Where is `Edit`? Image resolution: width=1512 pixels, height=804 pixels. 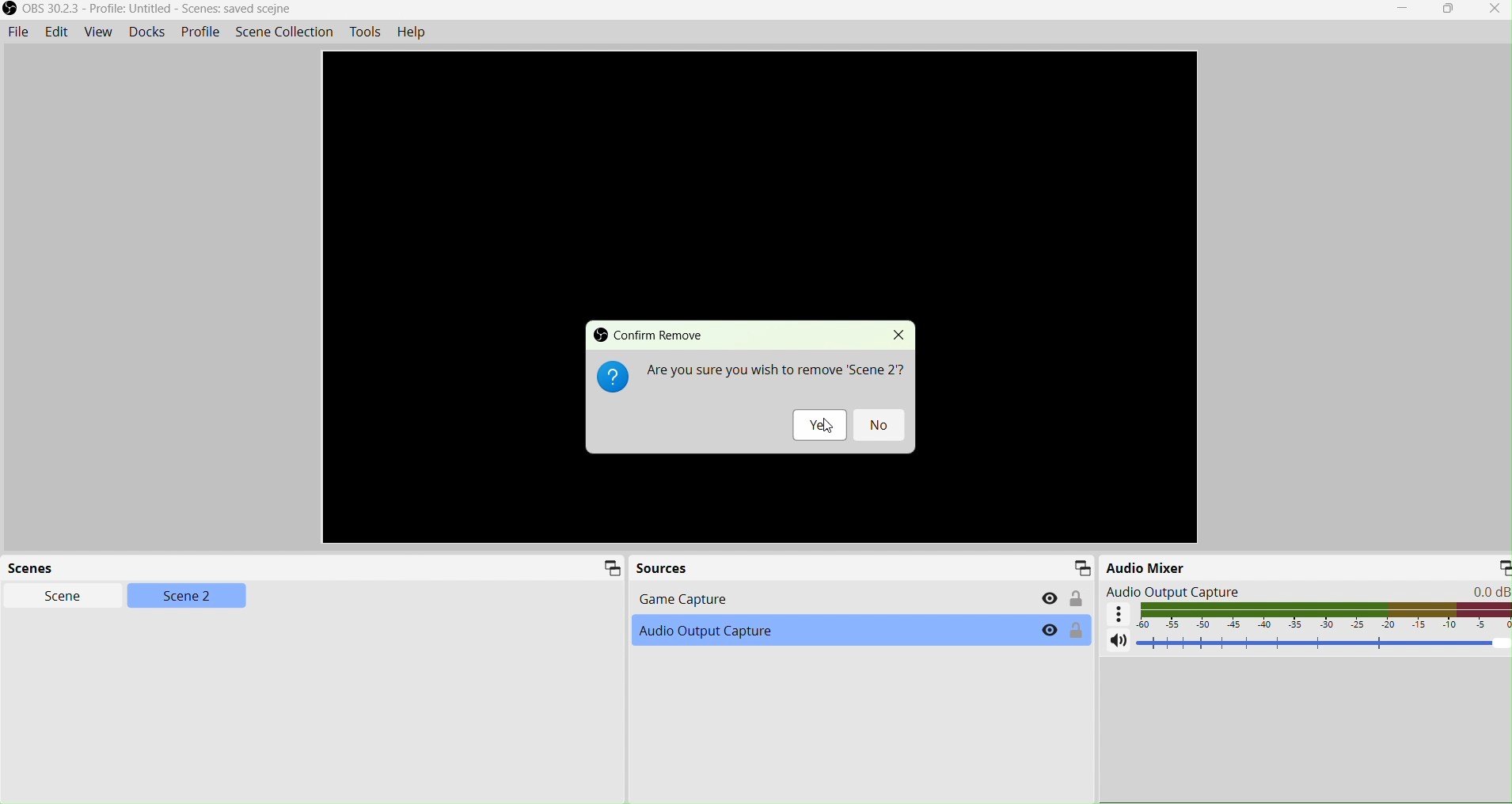
Edit is located at coordinates (56, 31).